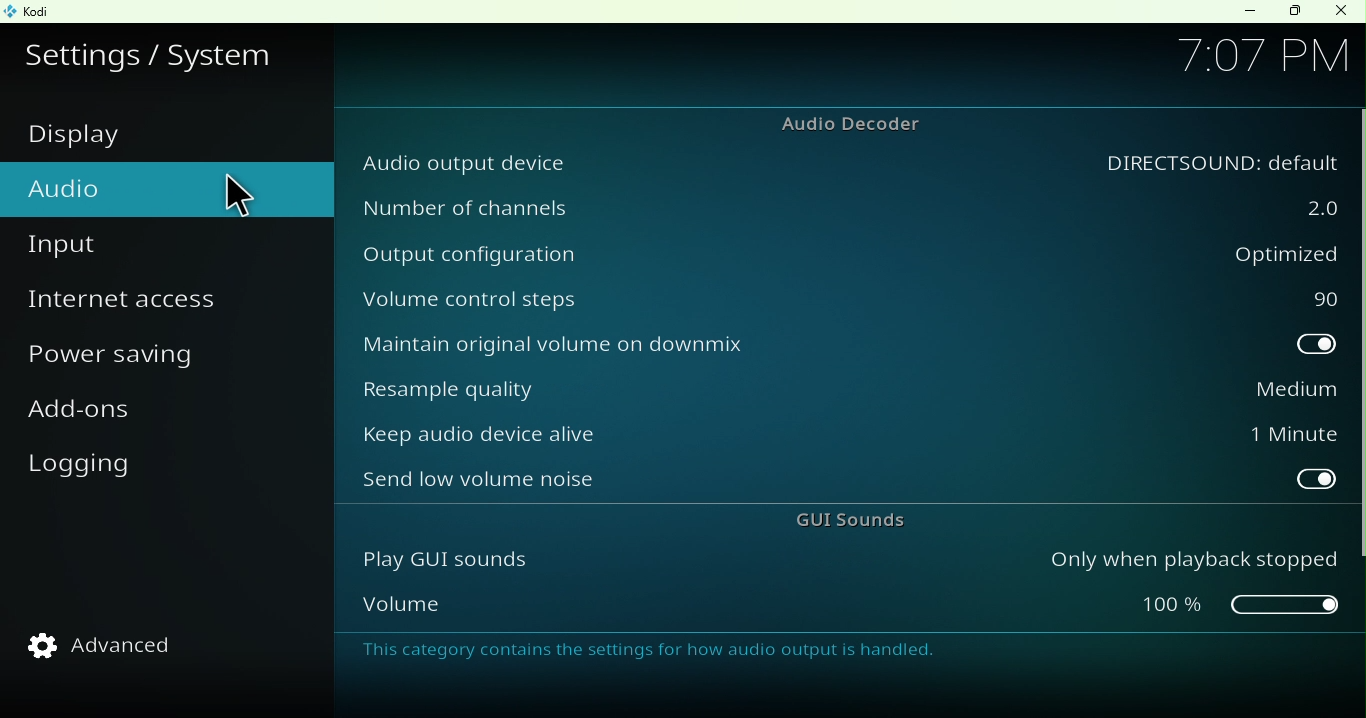  What do you see at coordinates (1345, 12) in the screenshot?
I see `Close` at bounding box center [1345, 12].